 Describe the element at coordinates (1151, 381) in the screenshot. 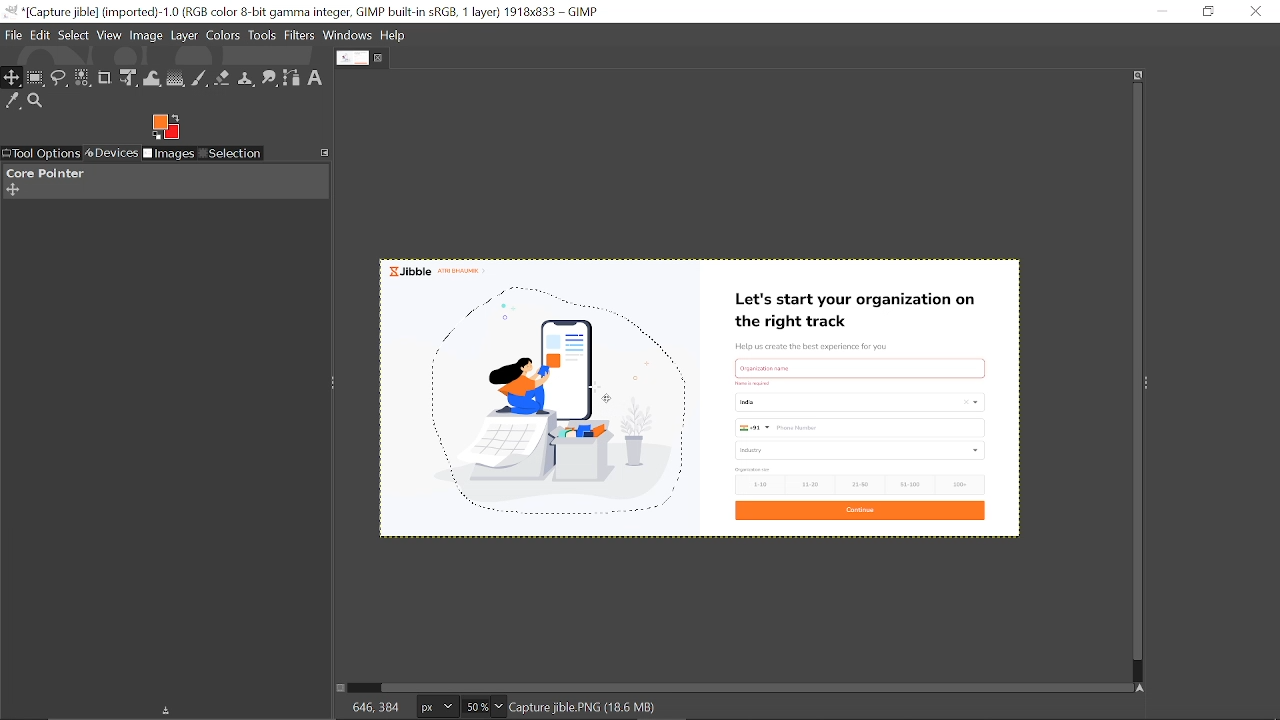

I see `Sidebar menu` at that location.